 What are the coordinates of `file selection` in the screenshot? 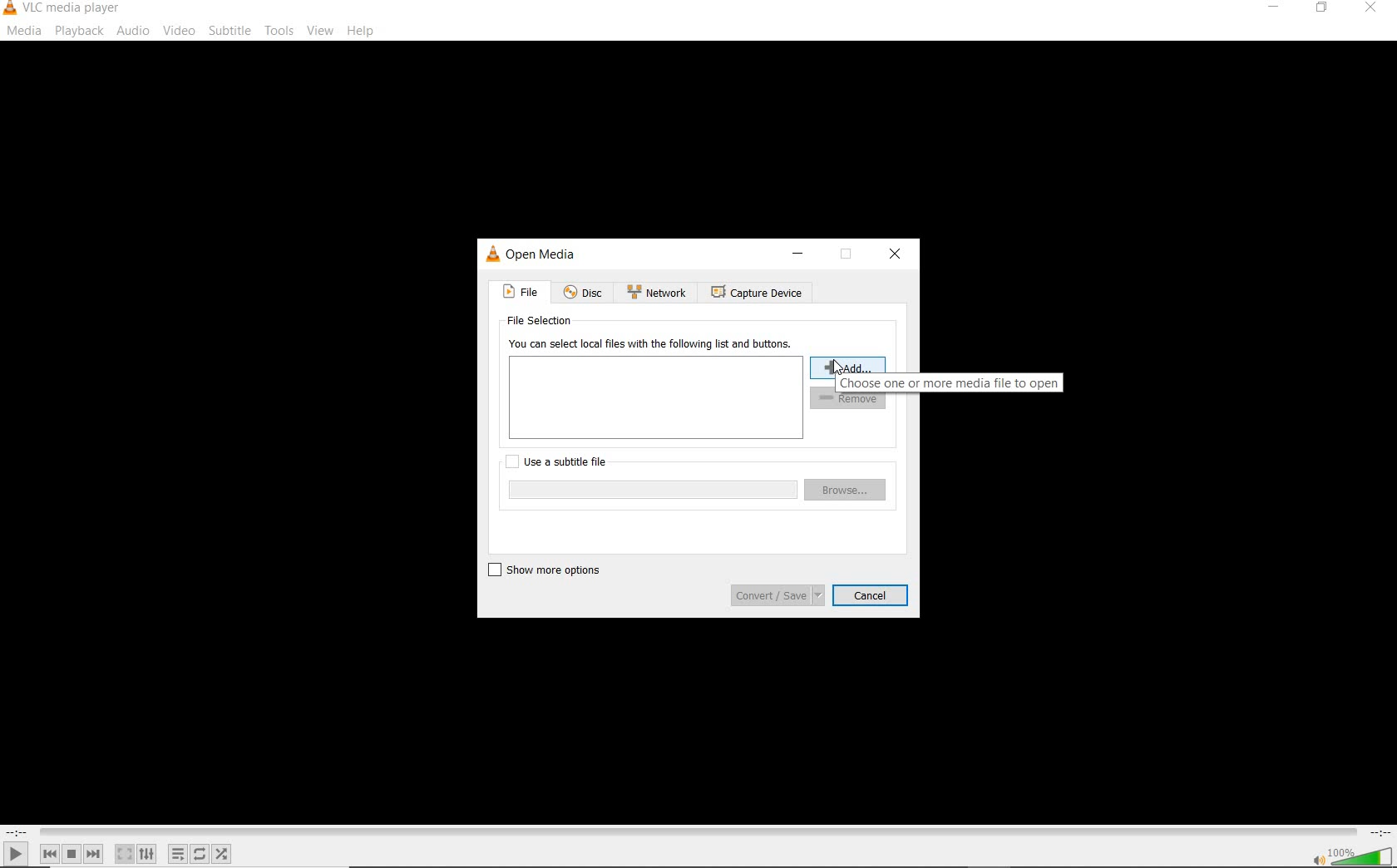 It's located at (537, 322).